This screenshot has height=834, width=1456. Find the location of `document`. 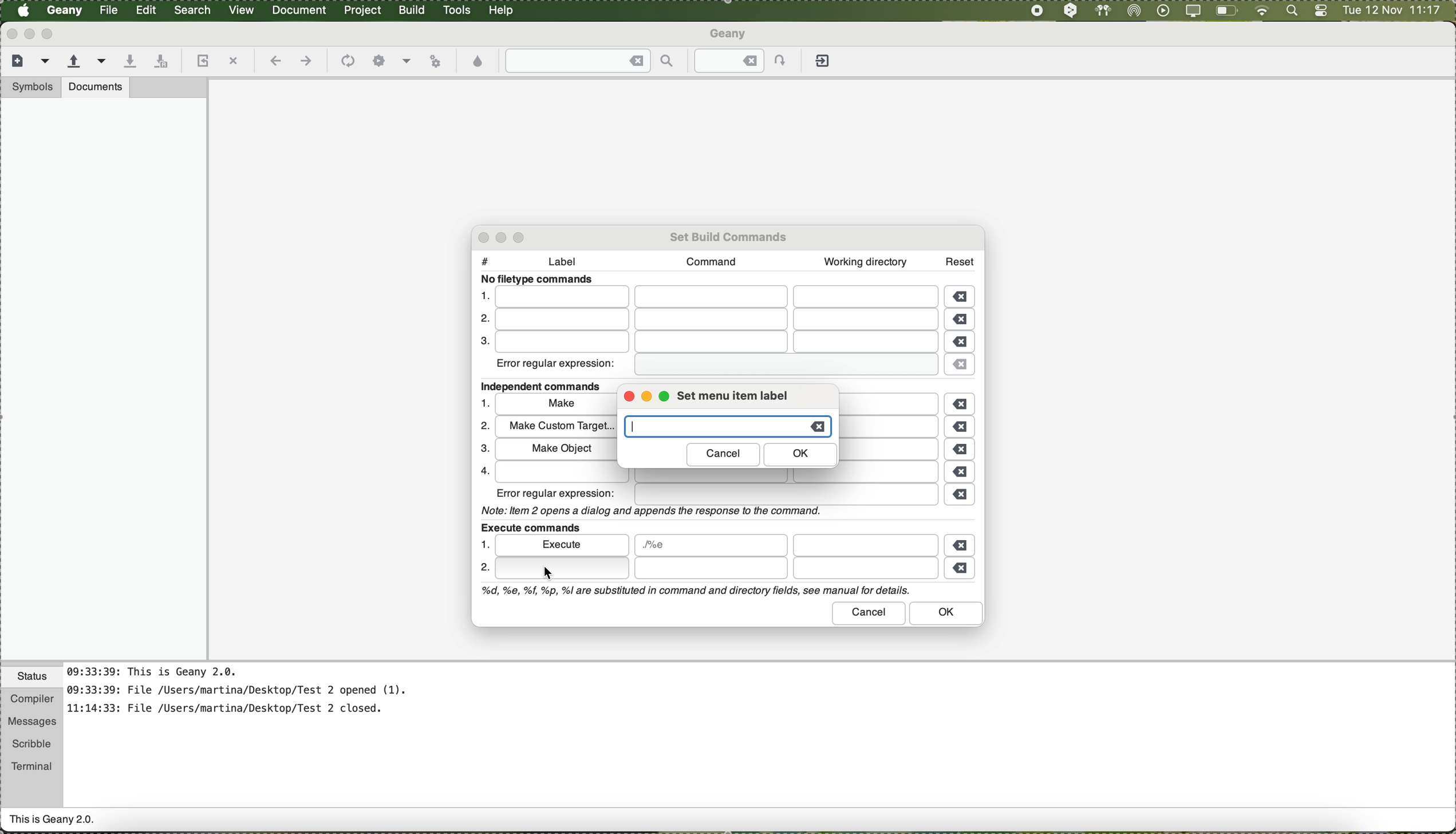

document is located at coordinates (299, 9).